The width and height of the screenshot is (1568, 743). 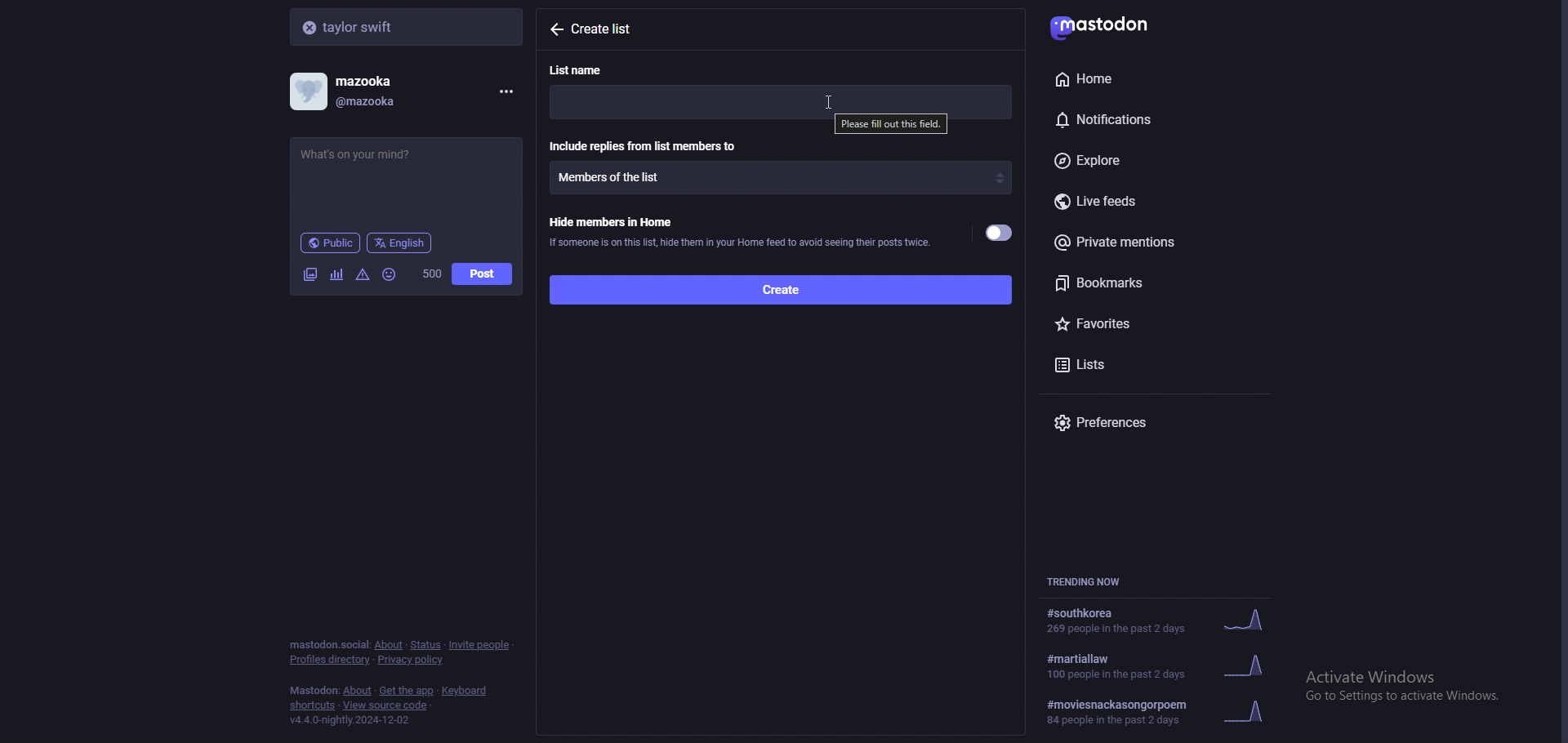 I want to click on shortcuts, so click(x=313, y=707).